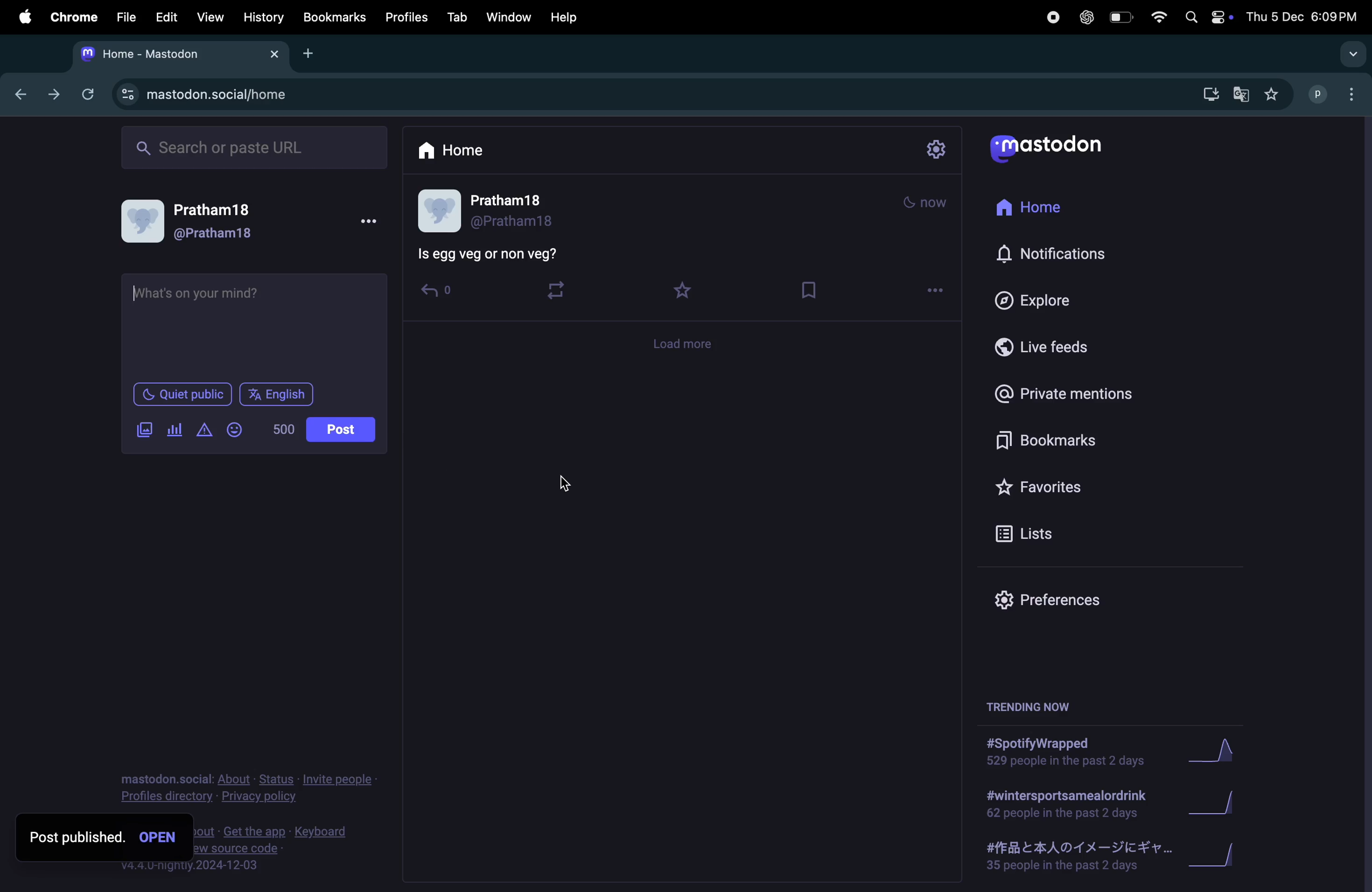 The height and width of the screenshot is (892, 1372). What do you see at coordinates (1066, 394) in the screenshot?
I see `private mentions` at bounding box center [1066, 394].